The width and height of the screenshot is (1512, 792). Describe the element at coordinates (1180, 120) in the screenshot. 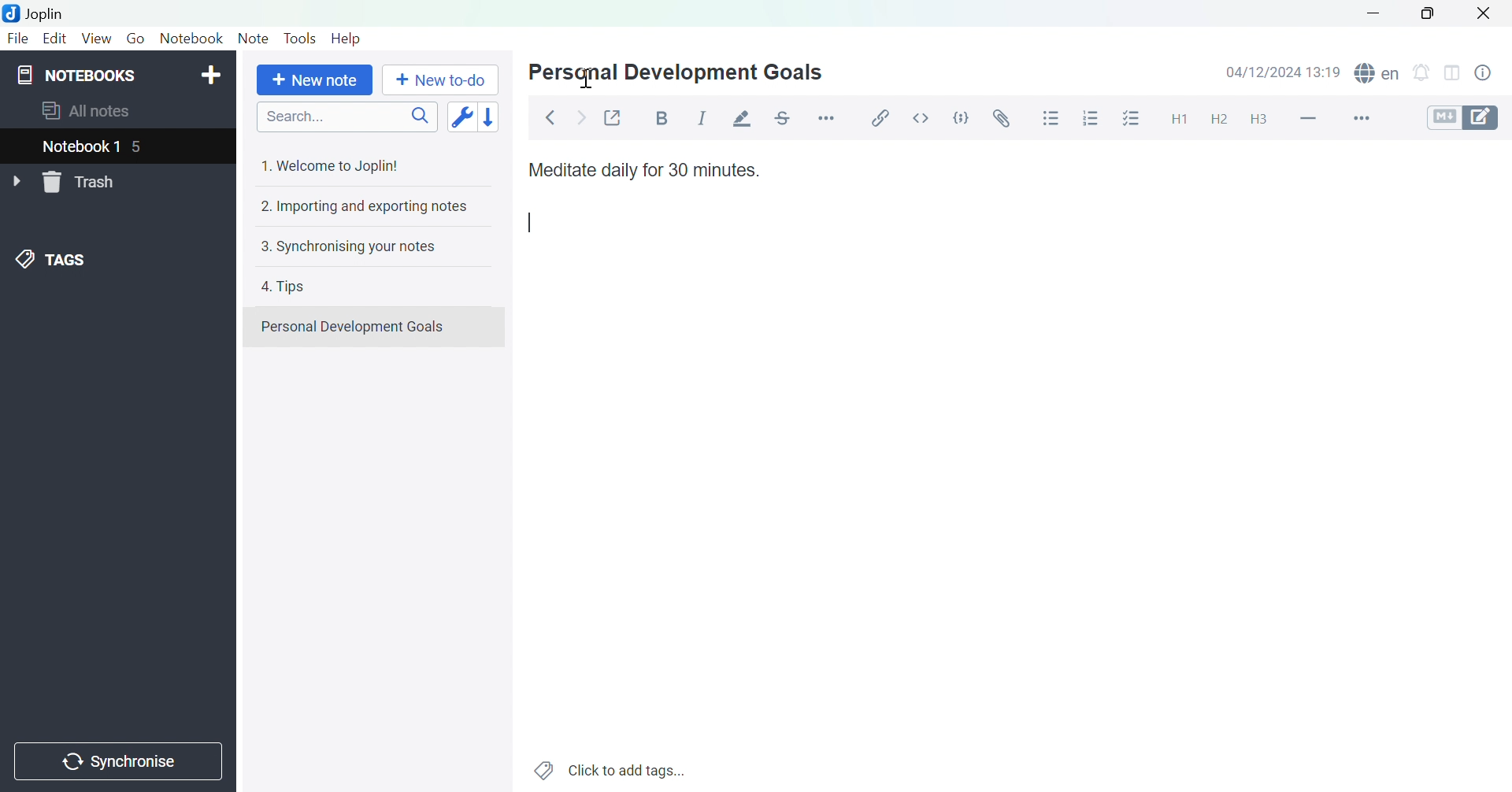

I see `Heading 1` at that location.